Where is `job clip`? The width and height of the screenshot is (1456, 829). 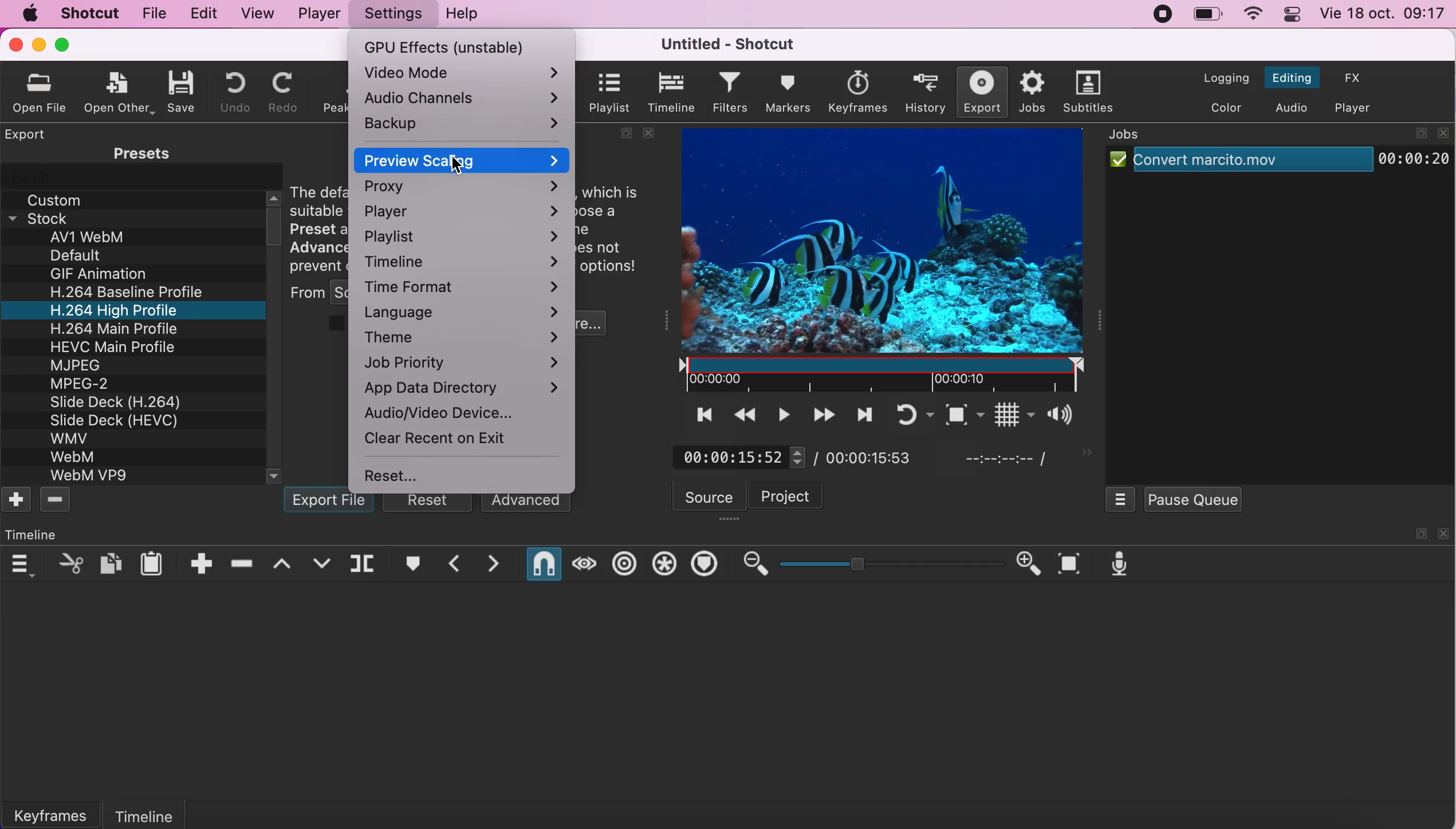
job clip is located at coordinates (1278, 165).